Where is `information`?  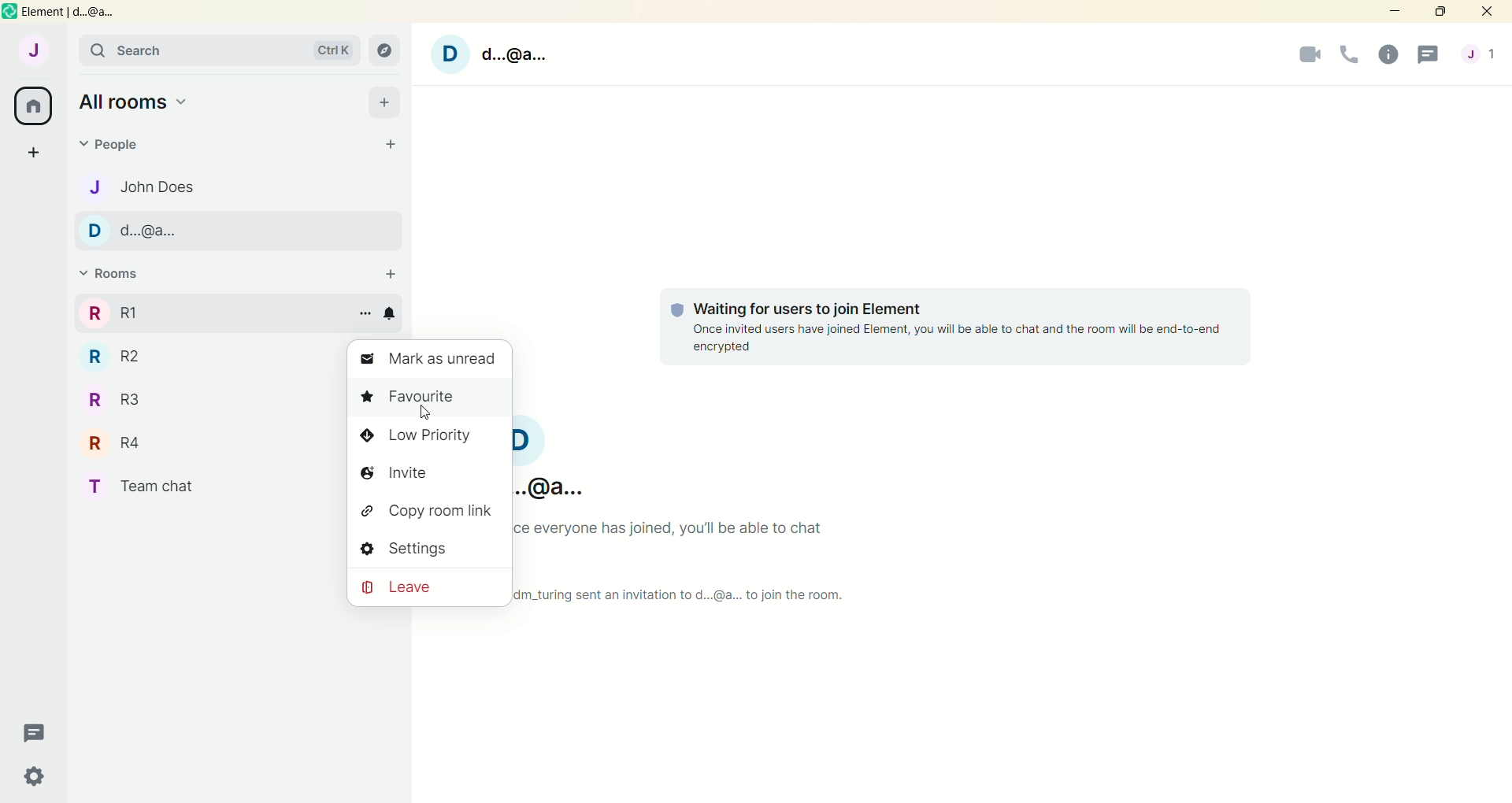 information is located at coordinates (1392, 56).